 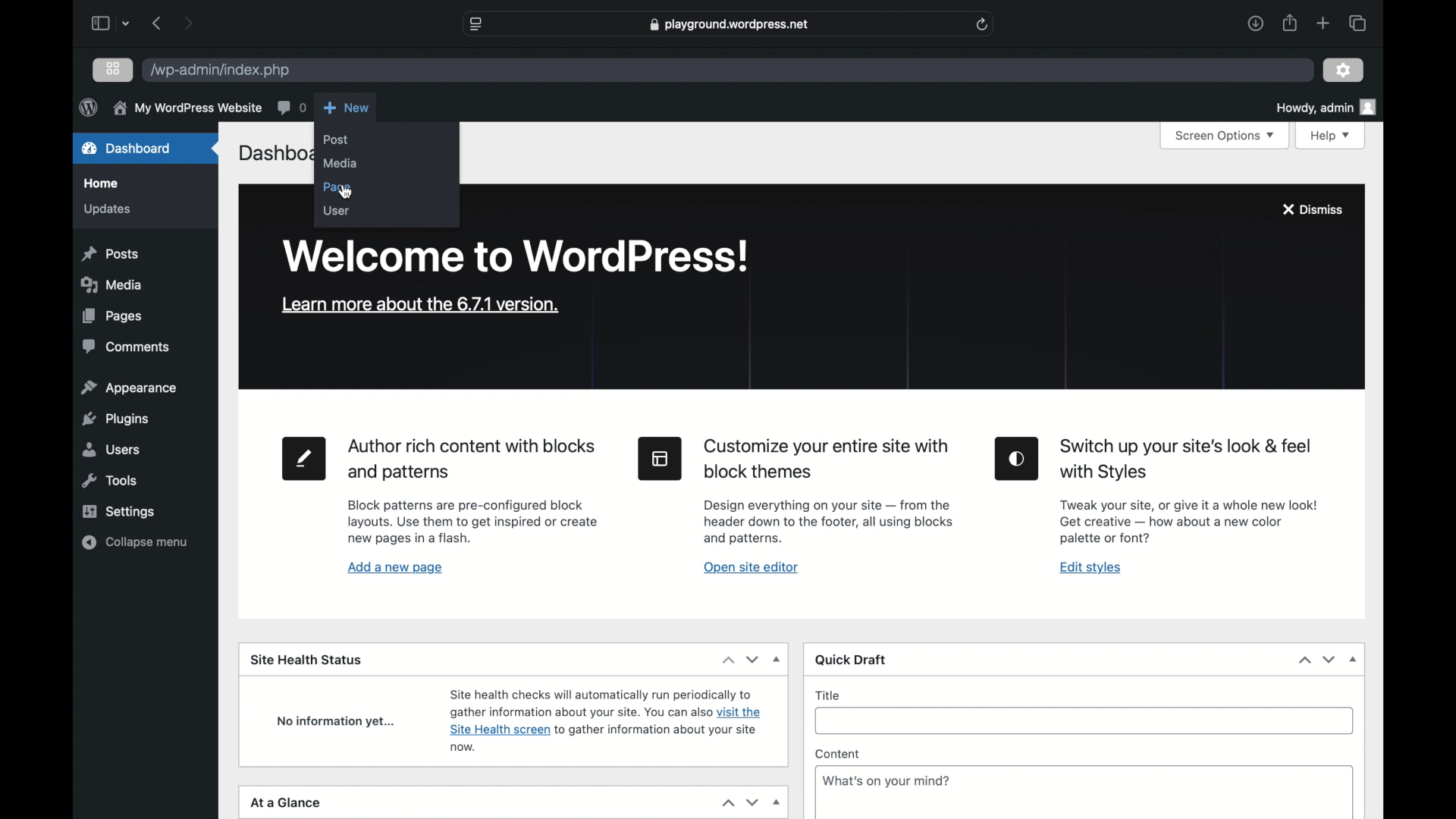 I want to click on learn more about the version 6.7.2, so click(x=420, y=306).